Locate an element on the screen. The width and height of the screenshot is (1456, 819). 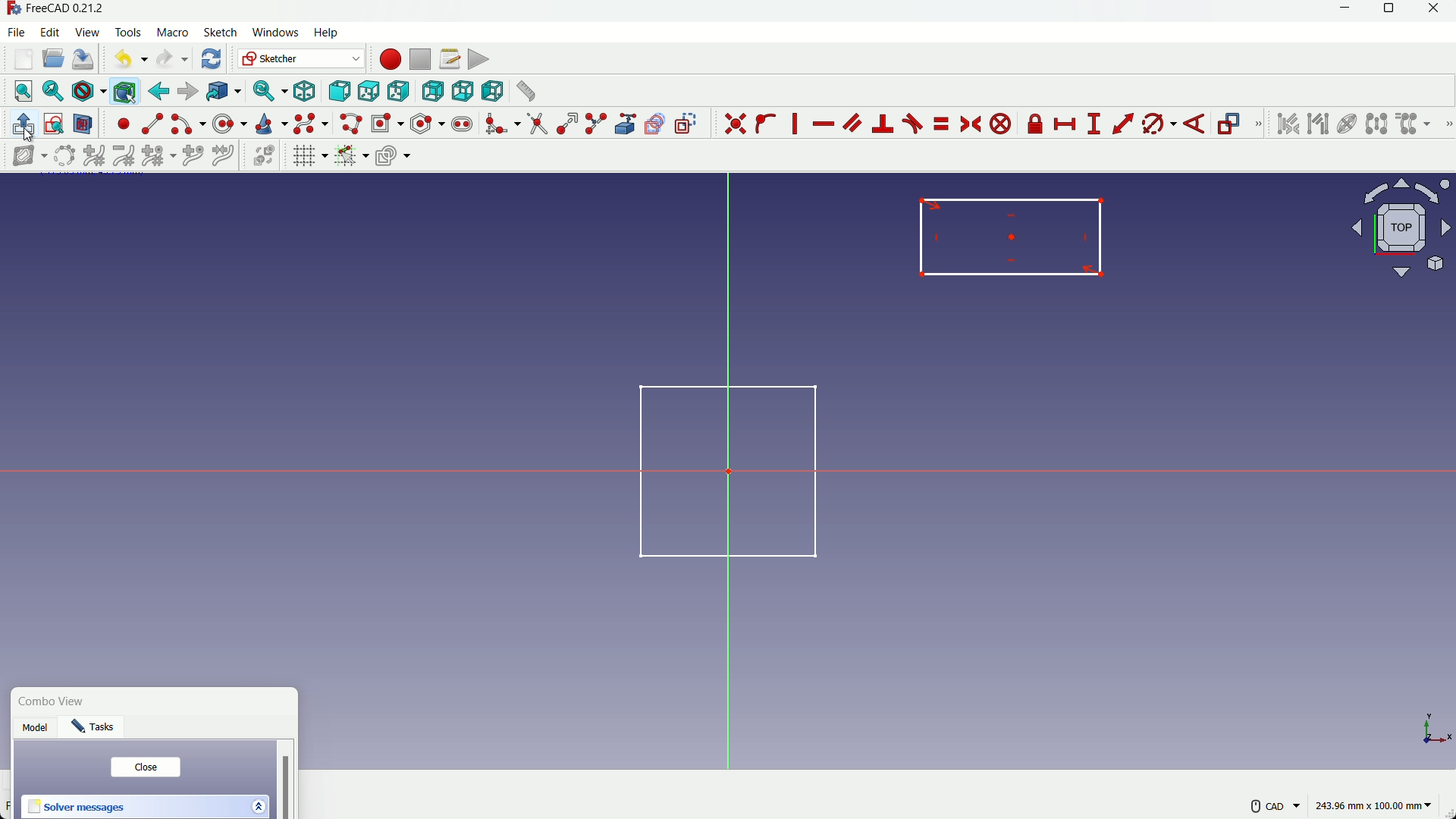
constraint tangent is located at coordinates (913, 124).